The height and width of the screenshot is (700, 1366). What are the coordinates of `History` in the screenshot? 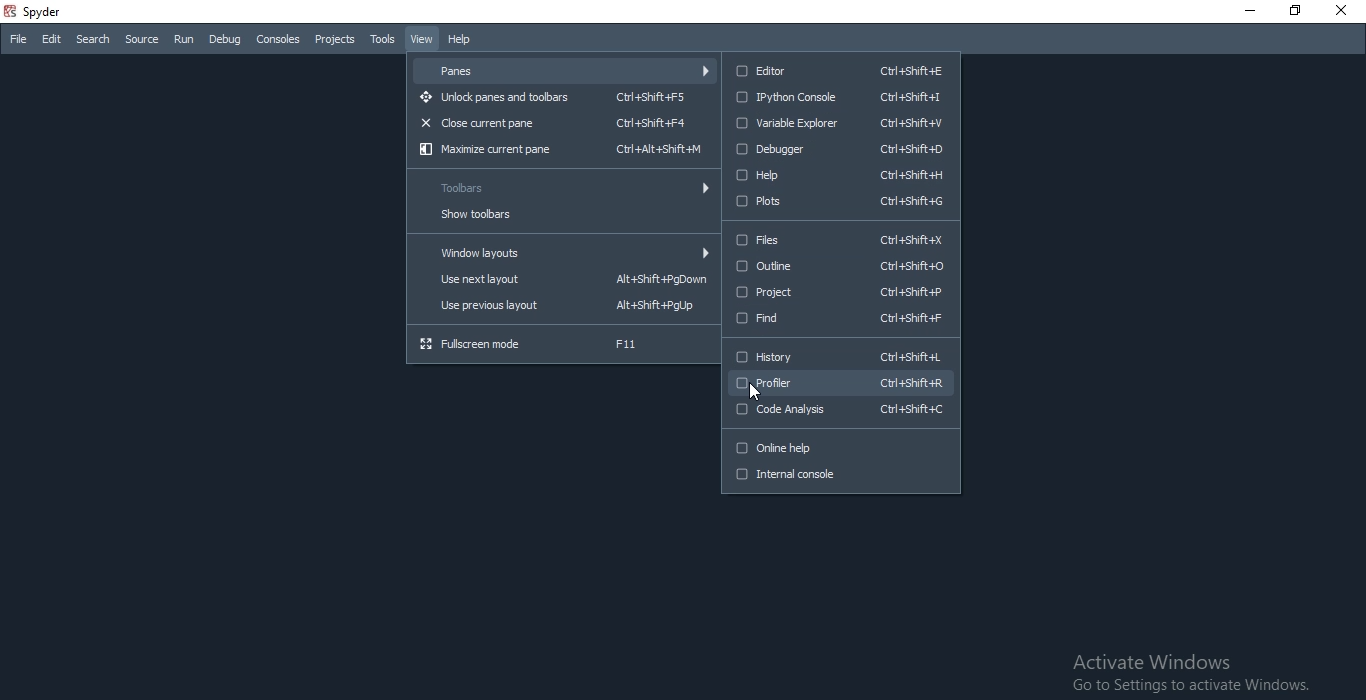 It's located at (837, 358).